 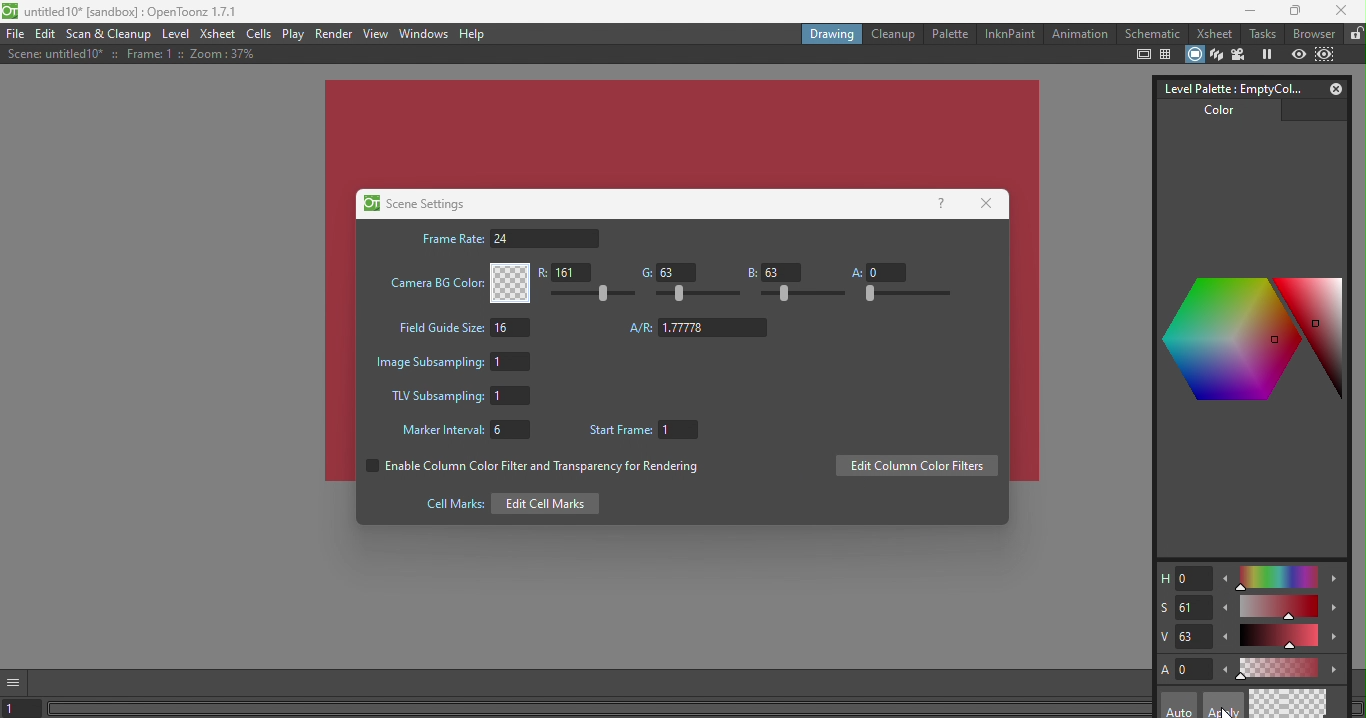 What do you see at coordinates (916, 467) in the screenshot?
I see `Edit column color filters` at bounding box center [916, 467].